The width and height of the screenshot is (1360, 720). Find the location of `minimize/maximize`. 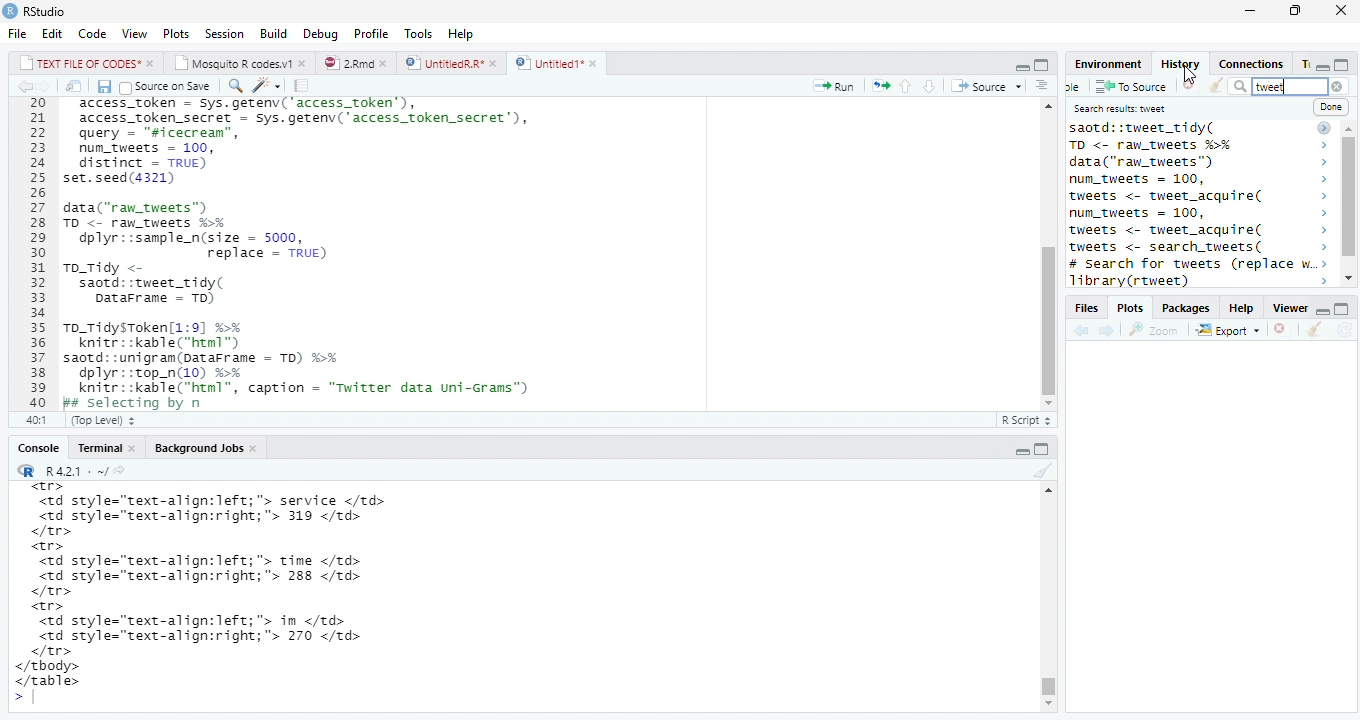

minimize/maximize is located at coordinates (1338, 61).